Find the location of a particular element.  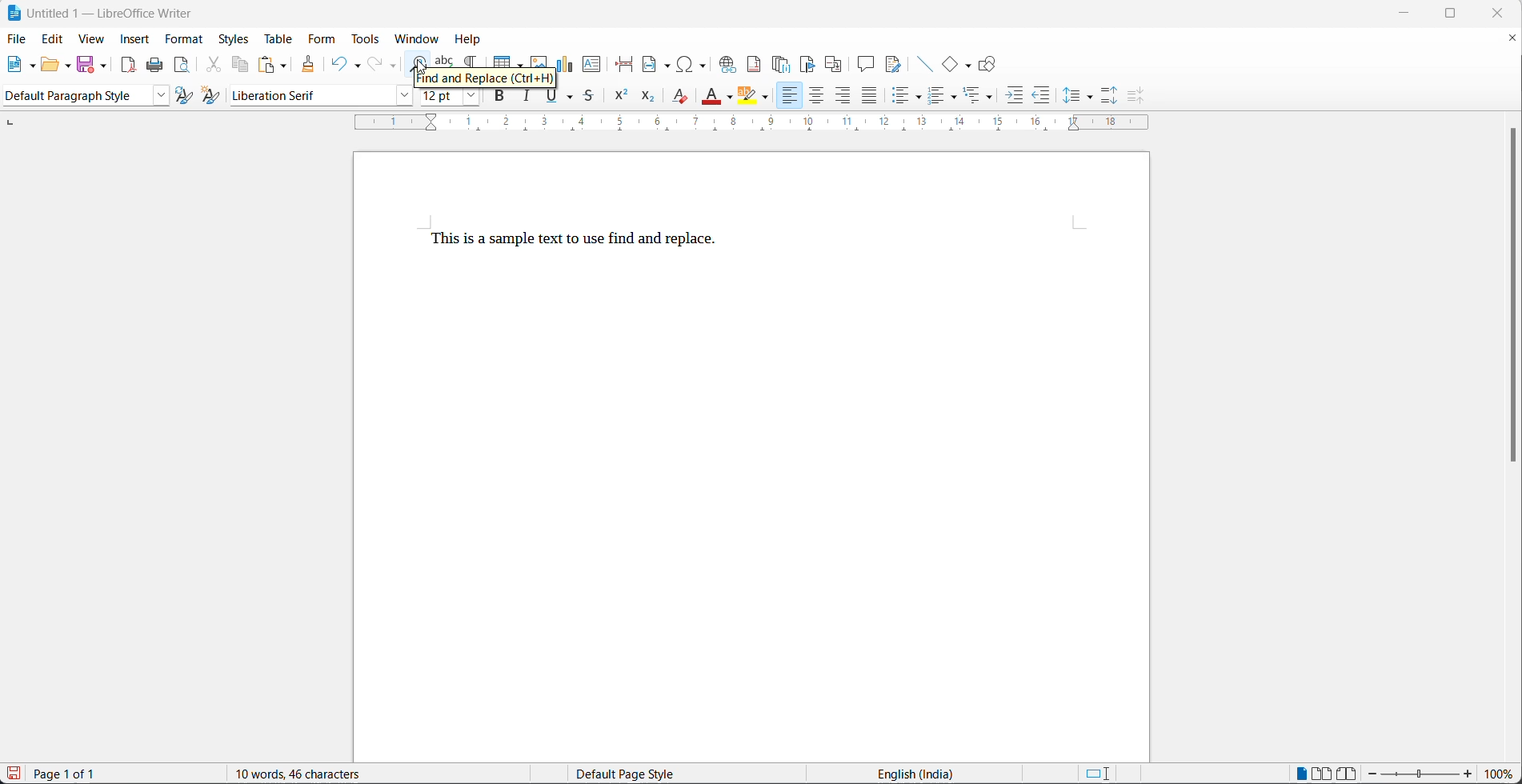

multipage view is located at coordinates (1321, 773).